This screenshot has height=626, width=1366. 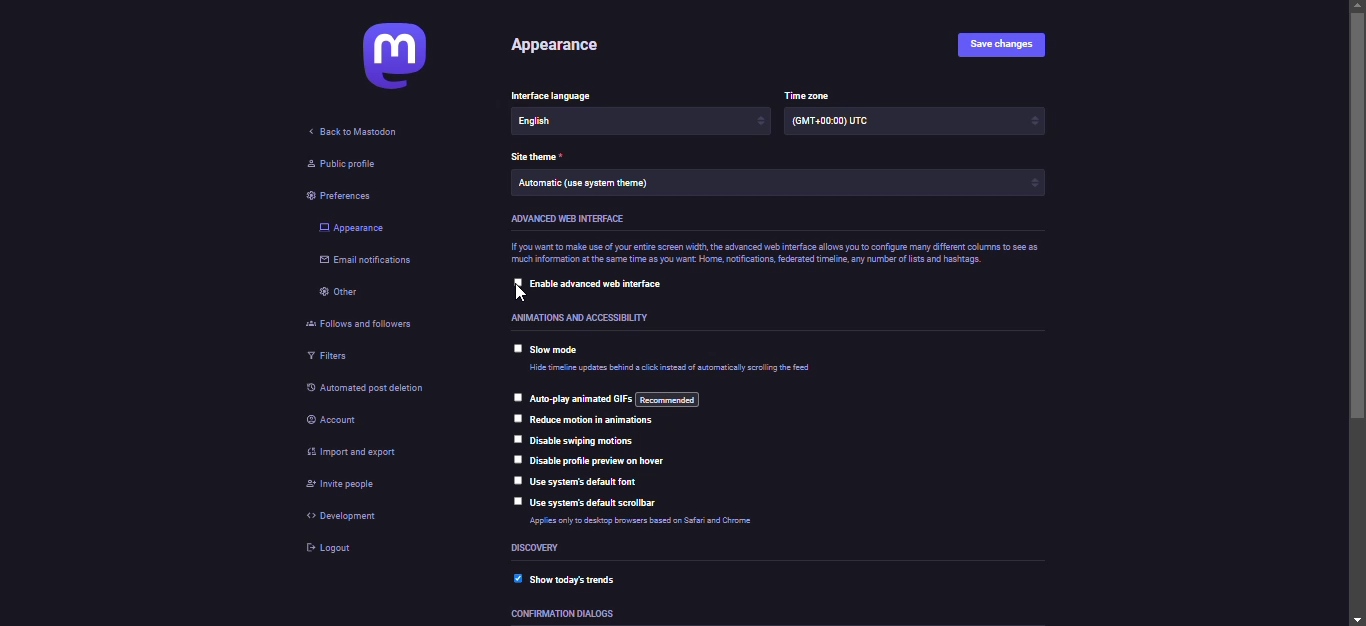 What do you see at coordinates (562, 612) in the screenshot?
I see `confirmation dialogs` at bounding box center [562, 612].